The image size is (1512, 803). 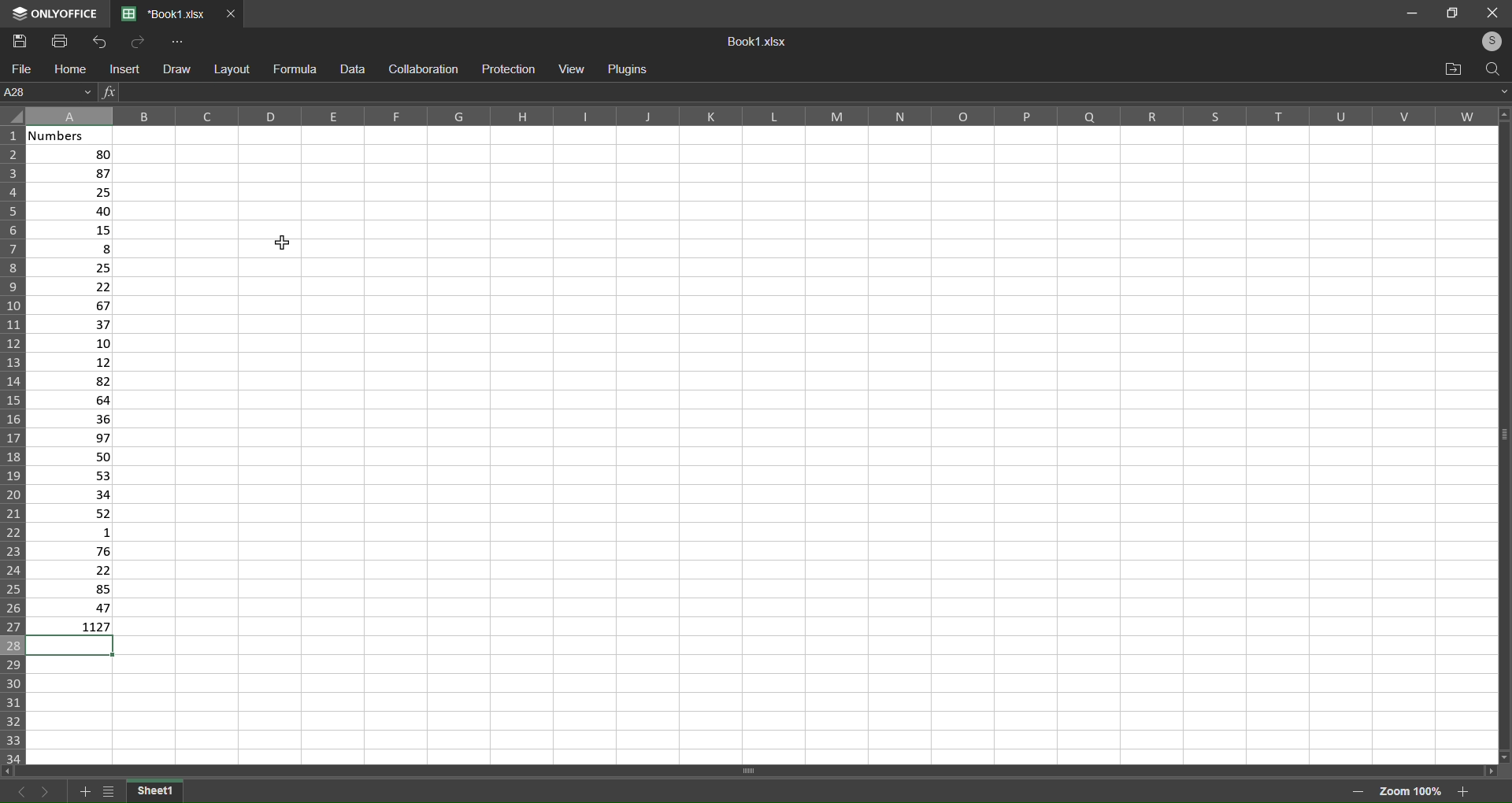 What do you see at coordinates (58, 42) in the screenshot?
I see `Print` at bounding box center [58, 42].